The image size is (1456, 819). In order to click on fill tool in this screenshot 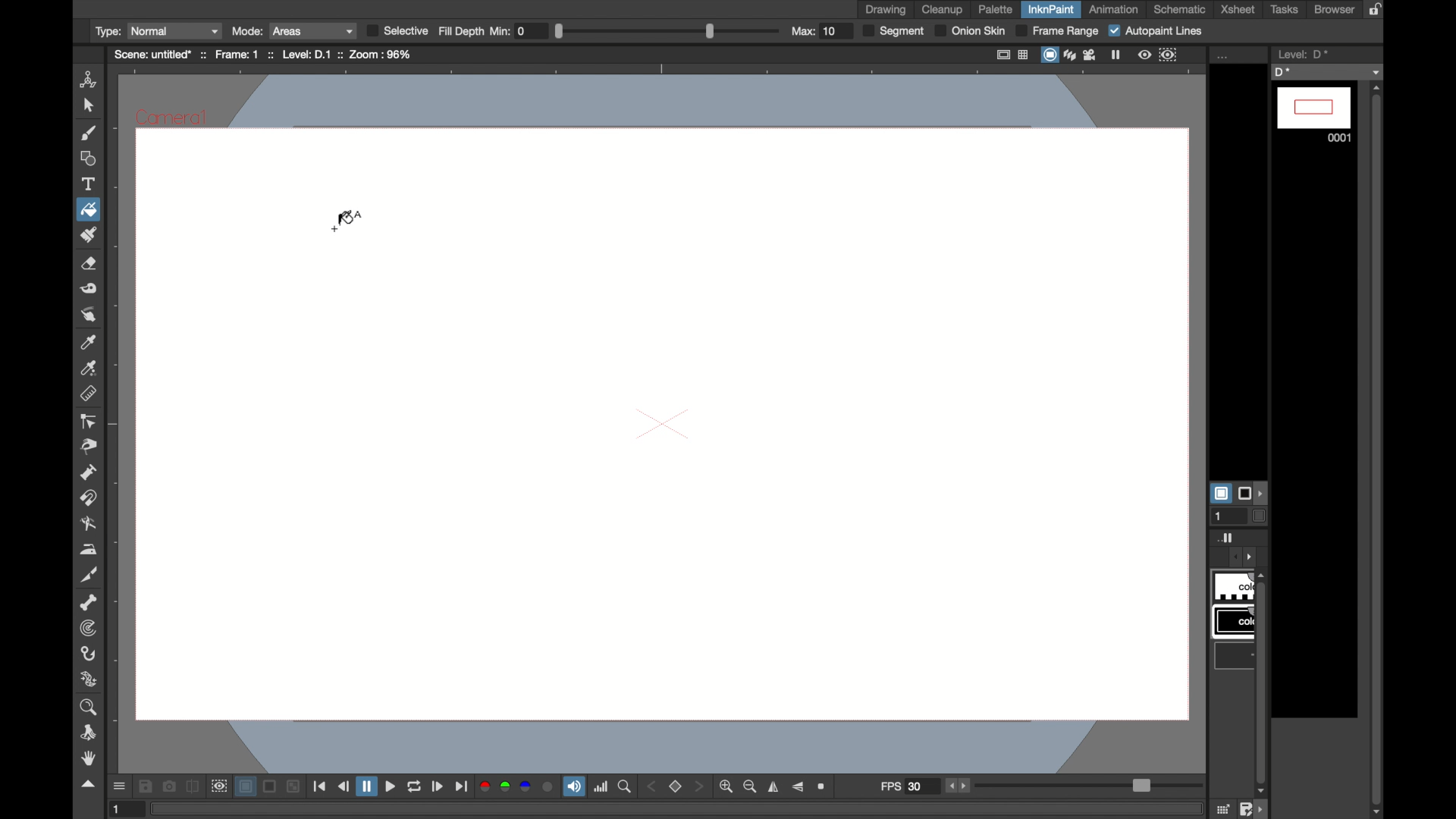, I will do `click(90, 209)`.